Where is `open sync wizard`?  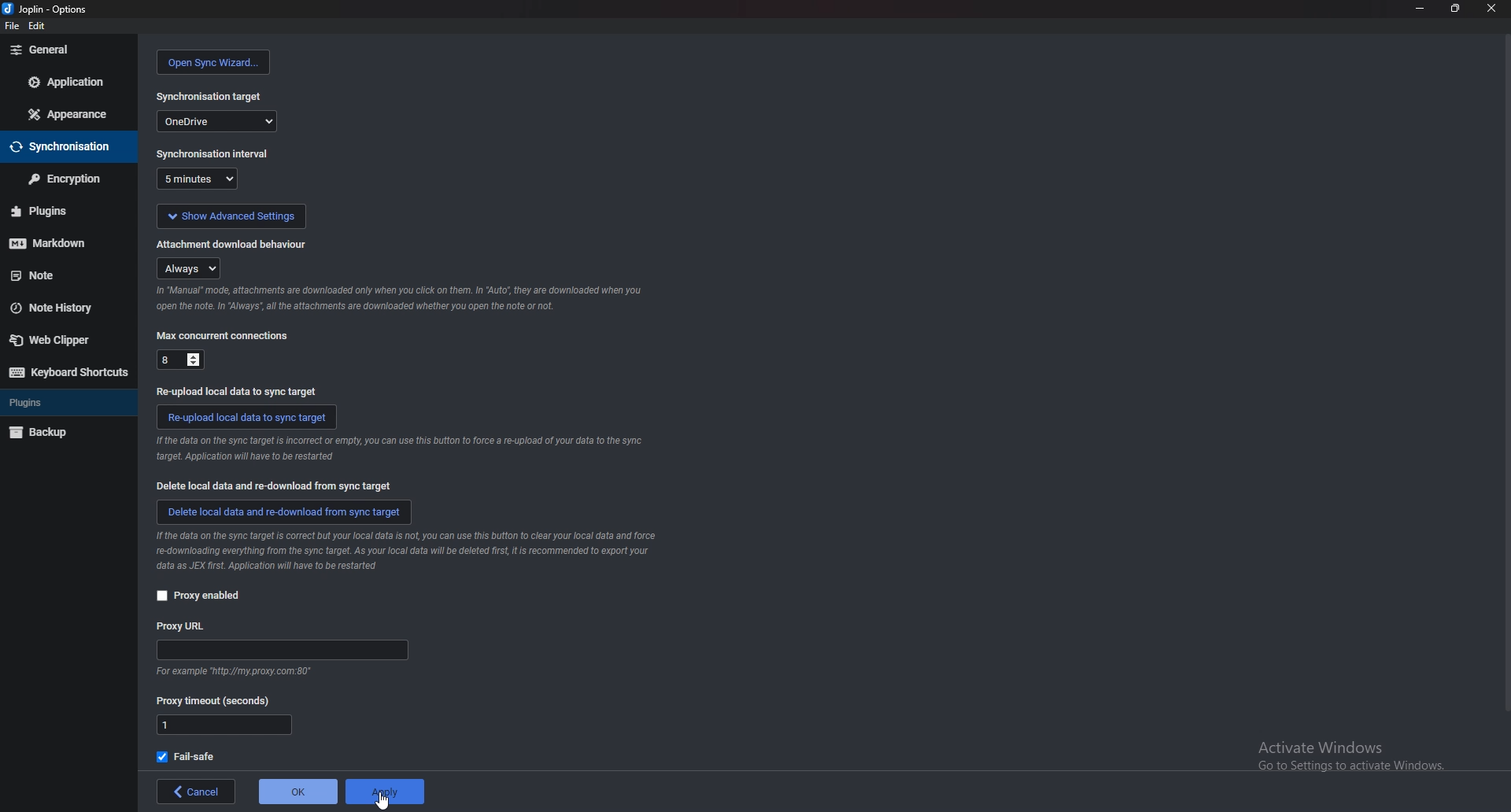 open sync wizard is located at coordinates (216, 62).